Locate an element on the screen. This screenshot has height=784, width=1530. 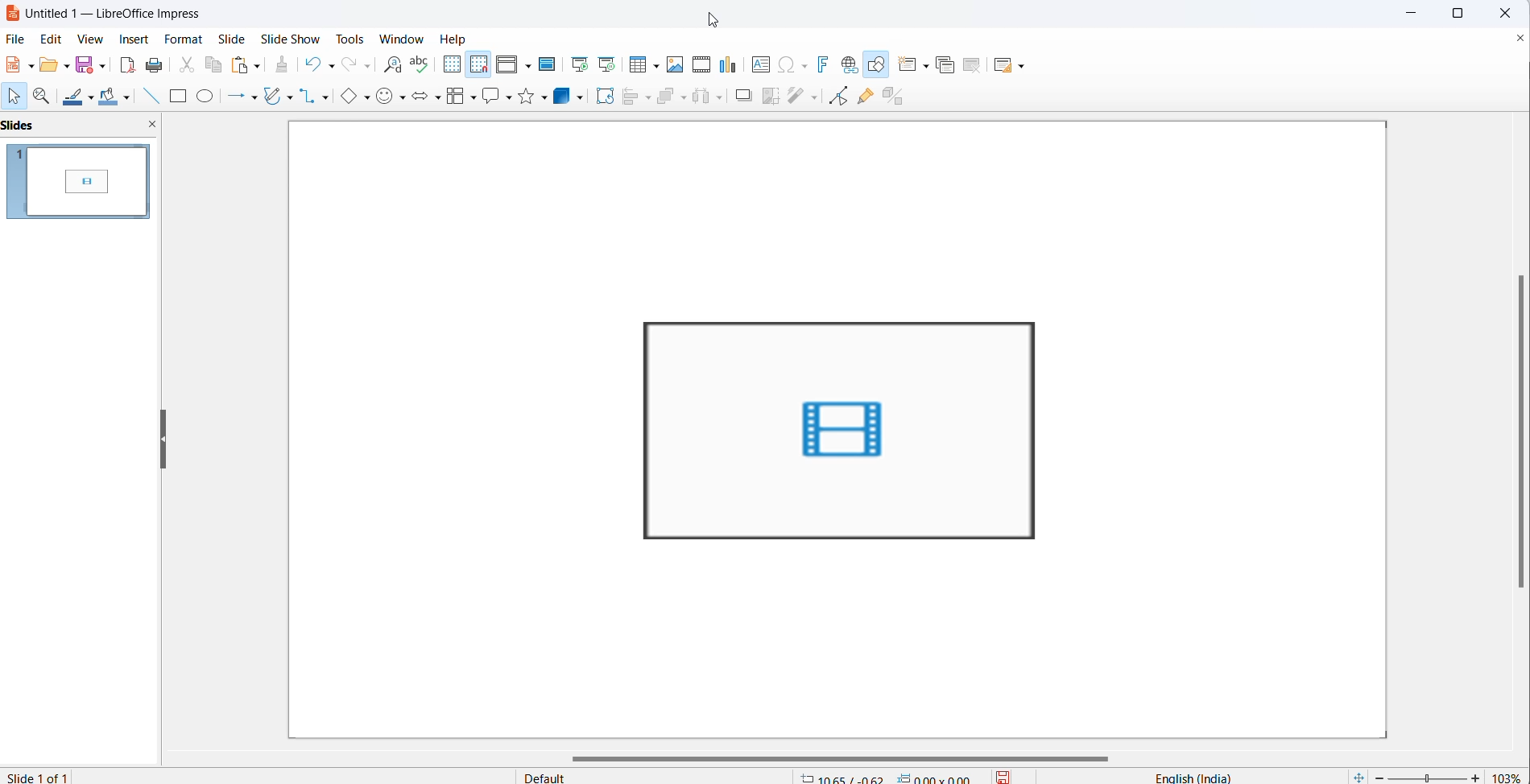
insert hyperlink is located at coordinates (852, 65).